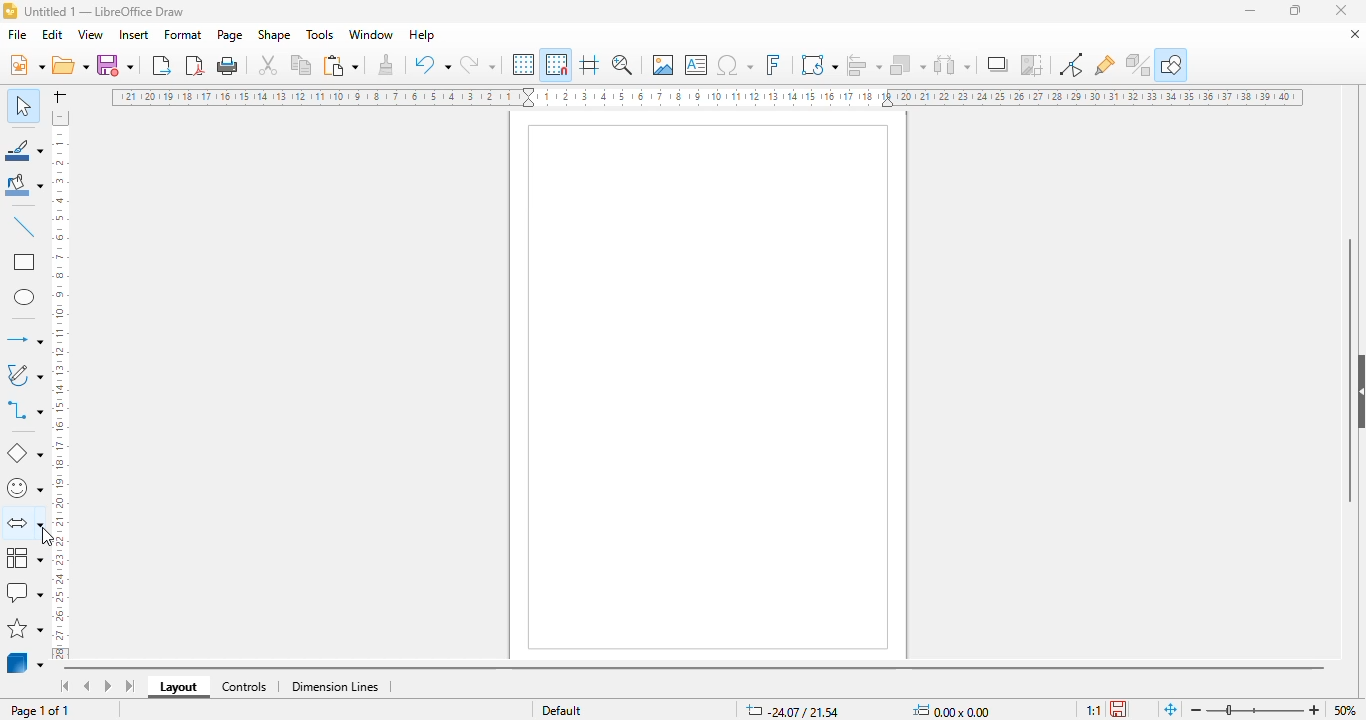 The width and height of the screenshot is (1366, 720). I want to click on edit, so click(52, 35).